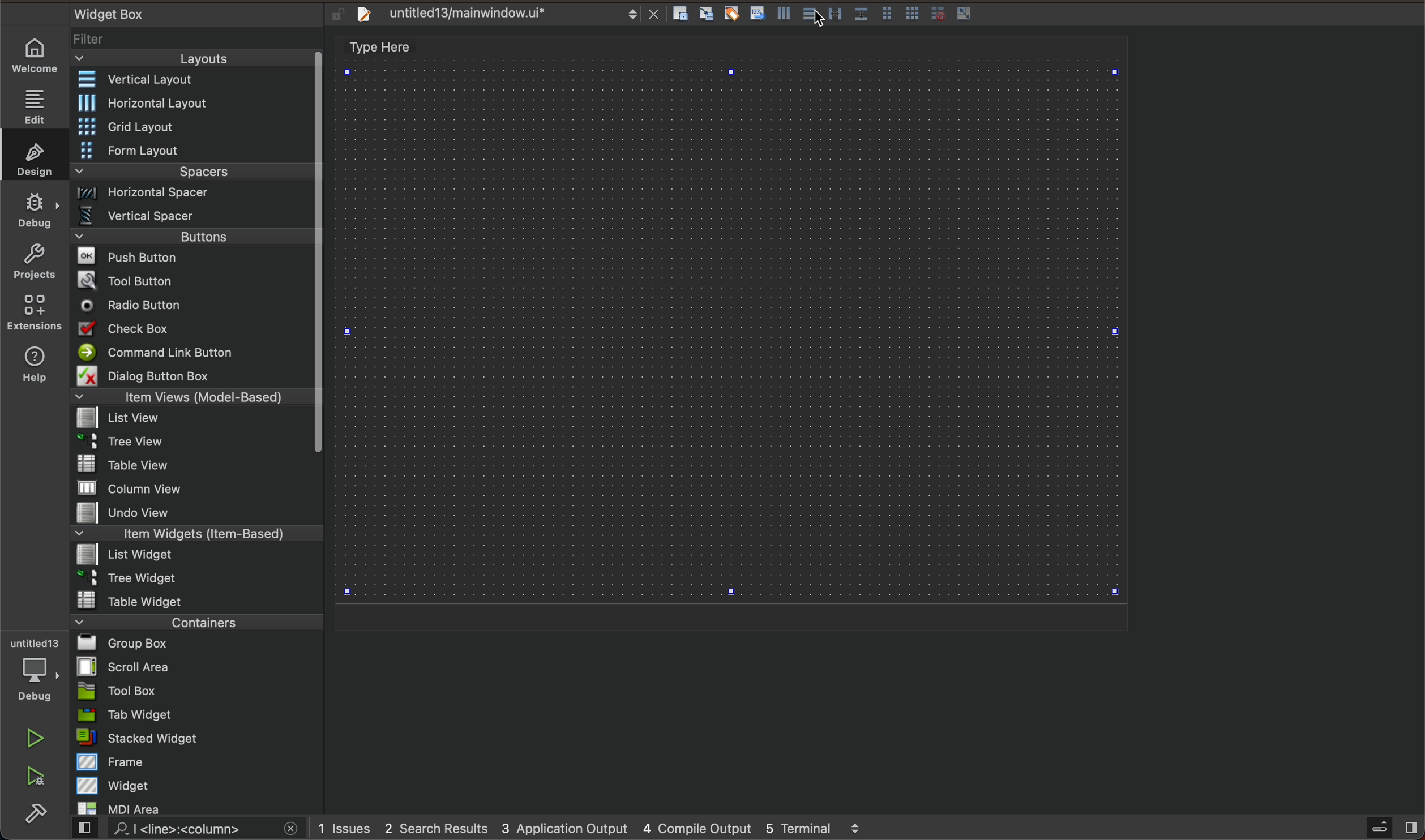  I want to click on items view, so click(193, 397).